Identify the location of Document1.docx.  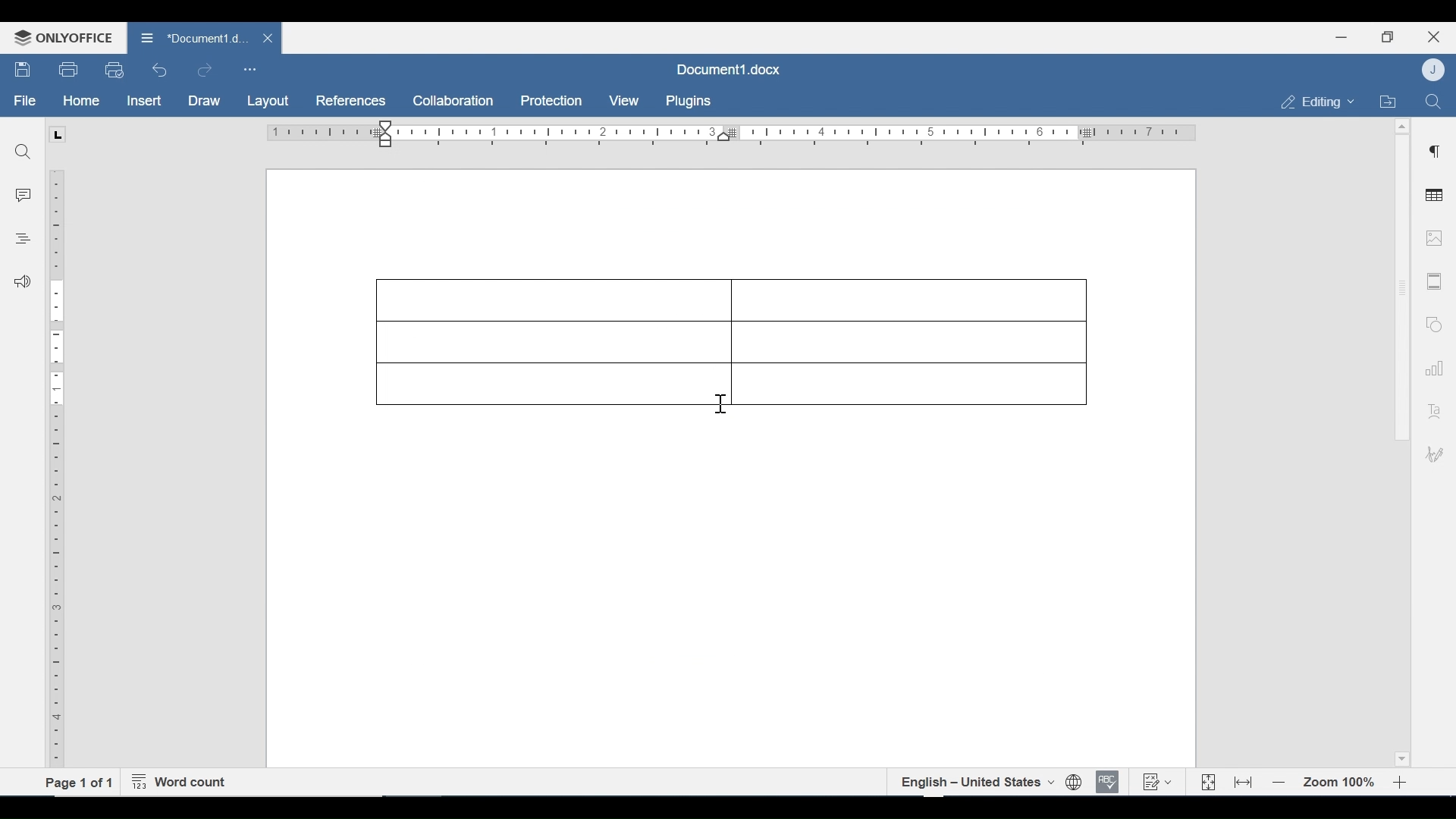
(726, 68).